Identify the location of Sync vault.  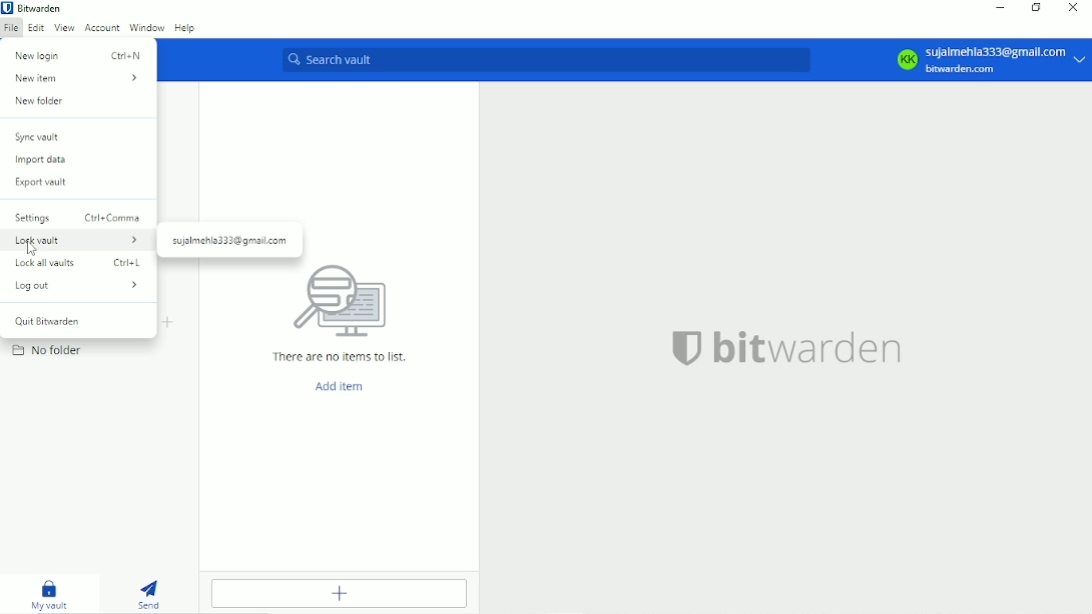
(39, 138).